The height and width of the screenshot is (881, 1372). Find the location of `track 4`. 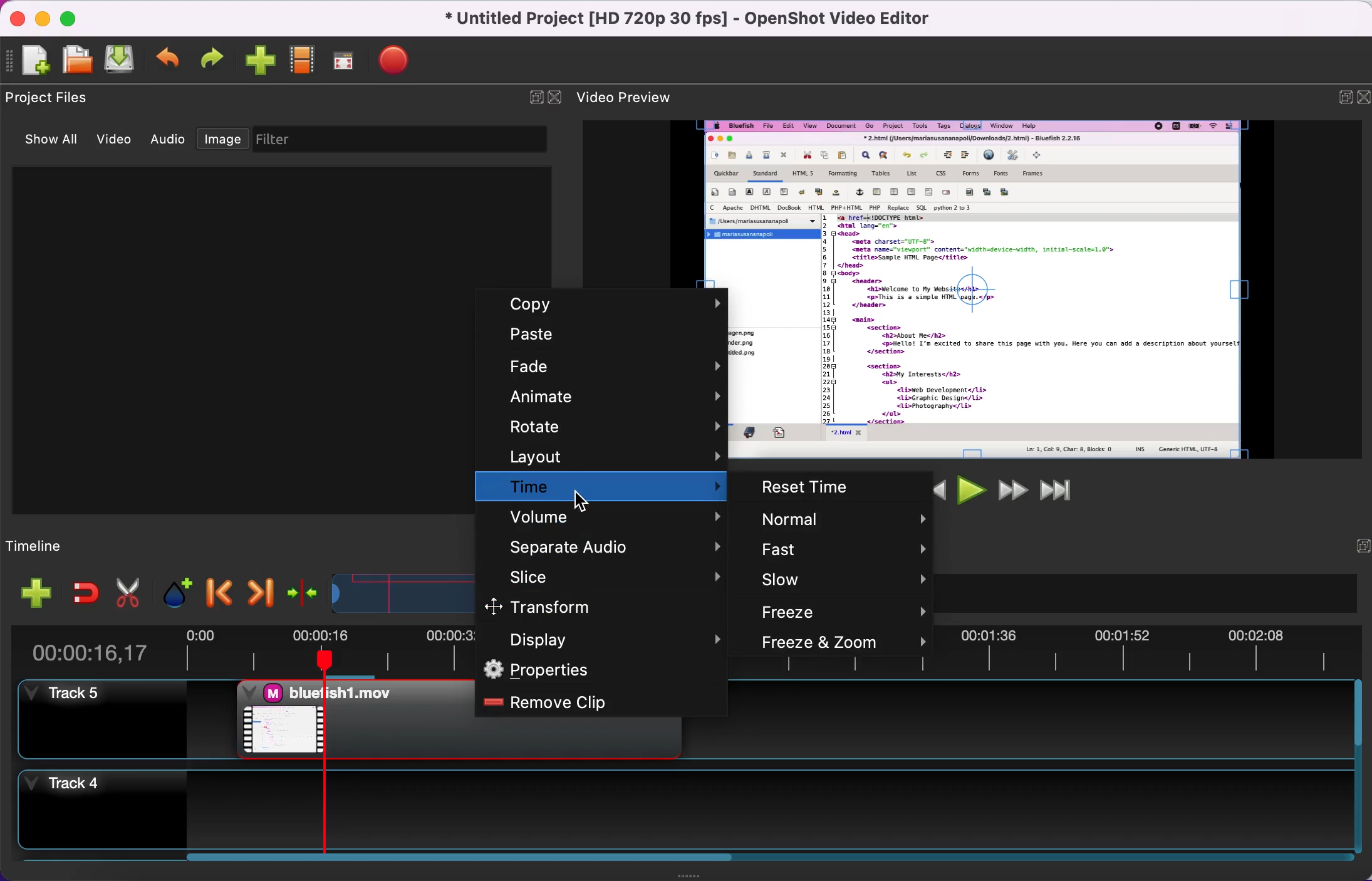

track 4 is located at coordinates (679, 806).